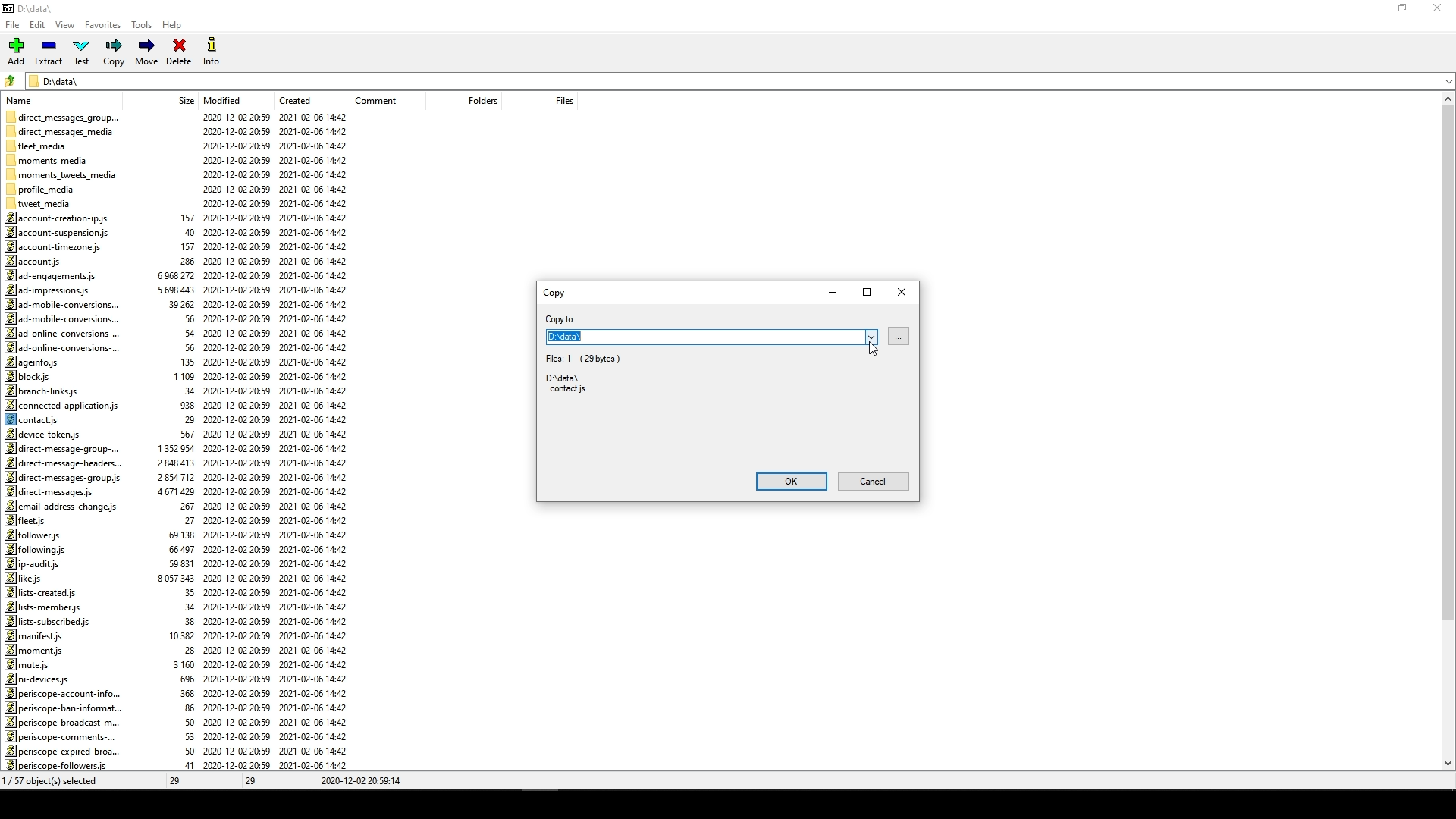  What do you see at coordinates (28, 377) in the screenshot?
I see `block.js` at bounding box center [28, 377].